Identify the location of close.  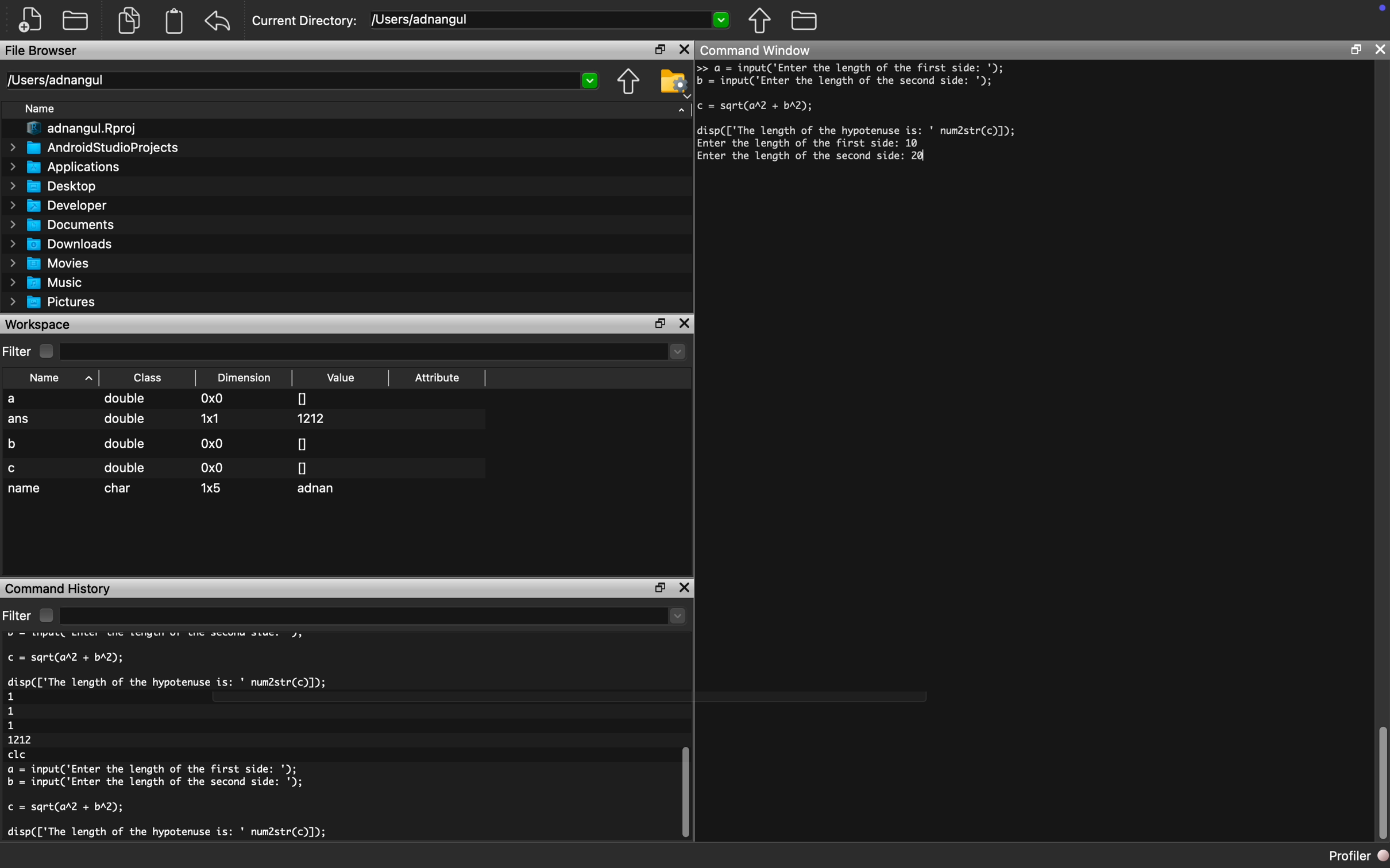
(684, 50).